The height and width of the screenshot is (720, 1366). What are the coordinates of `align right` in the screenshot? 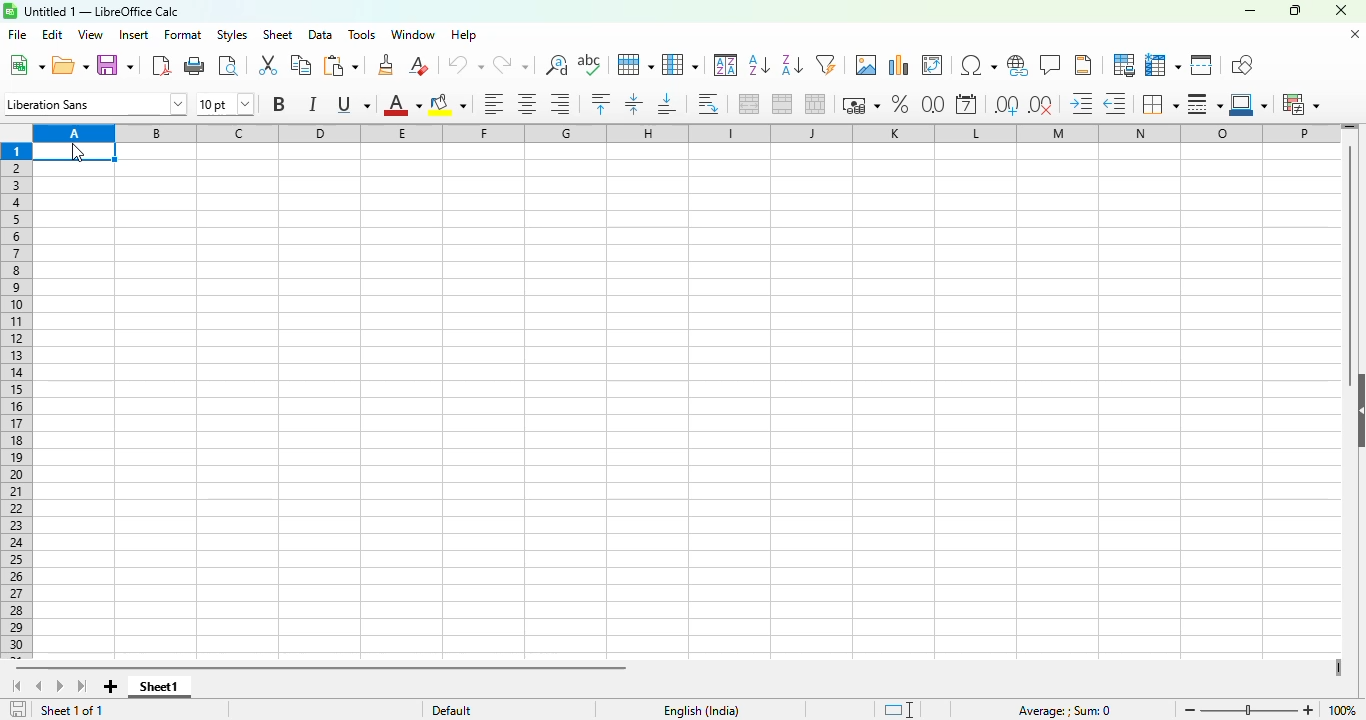 It's located at (559, 105).